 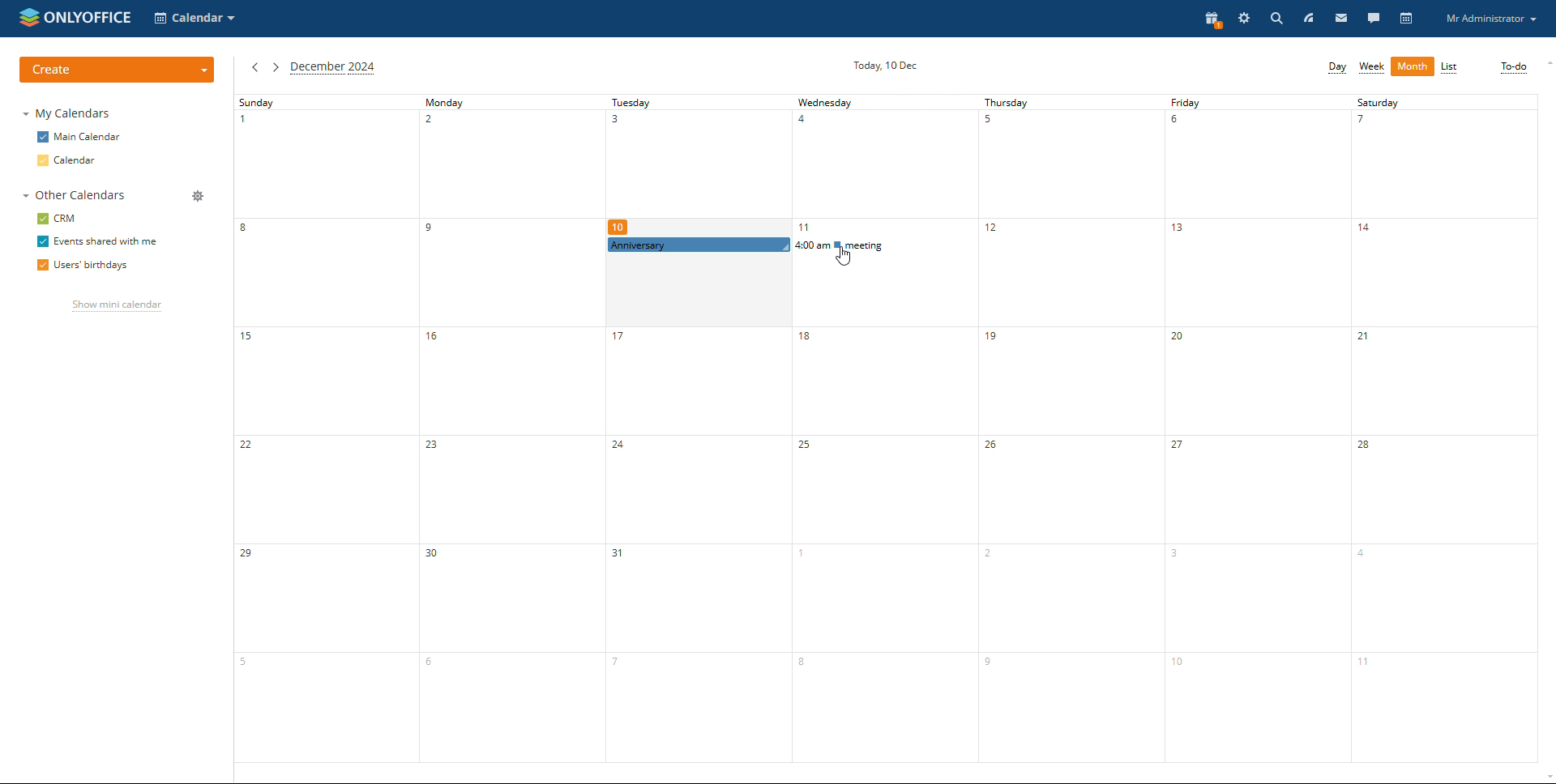 I want to click on wedbesday, so click(x=881, y=519).